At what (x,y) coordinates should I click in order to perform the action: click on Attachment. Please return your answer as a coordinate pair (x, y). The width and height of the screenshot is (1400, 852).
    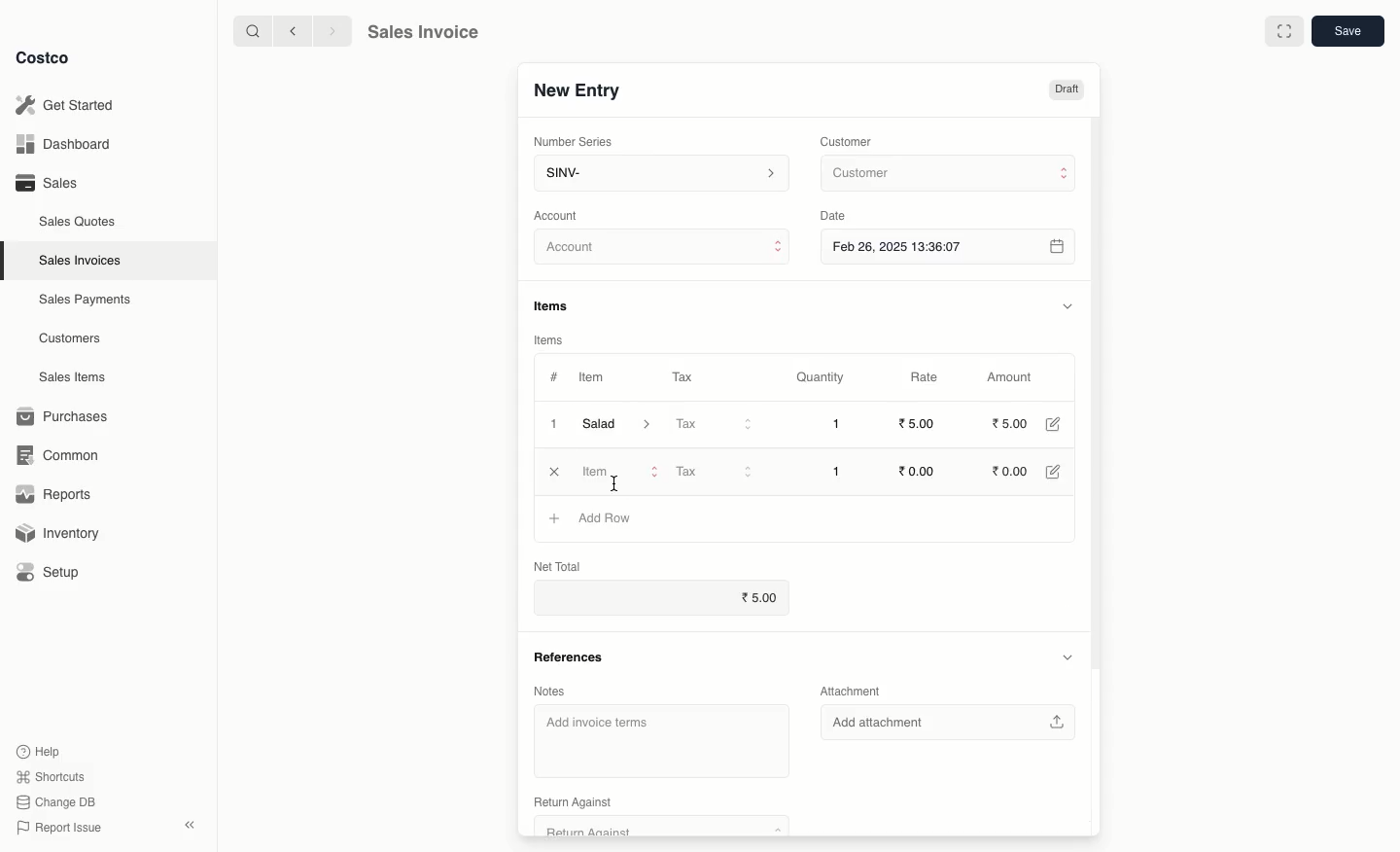
    Looking at the image, I should click on (852, 688).